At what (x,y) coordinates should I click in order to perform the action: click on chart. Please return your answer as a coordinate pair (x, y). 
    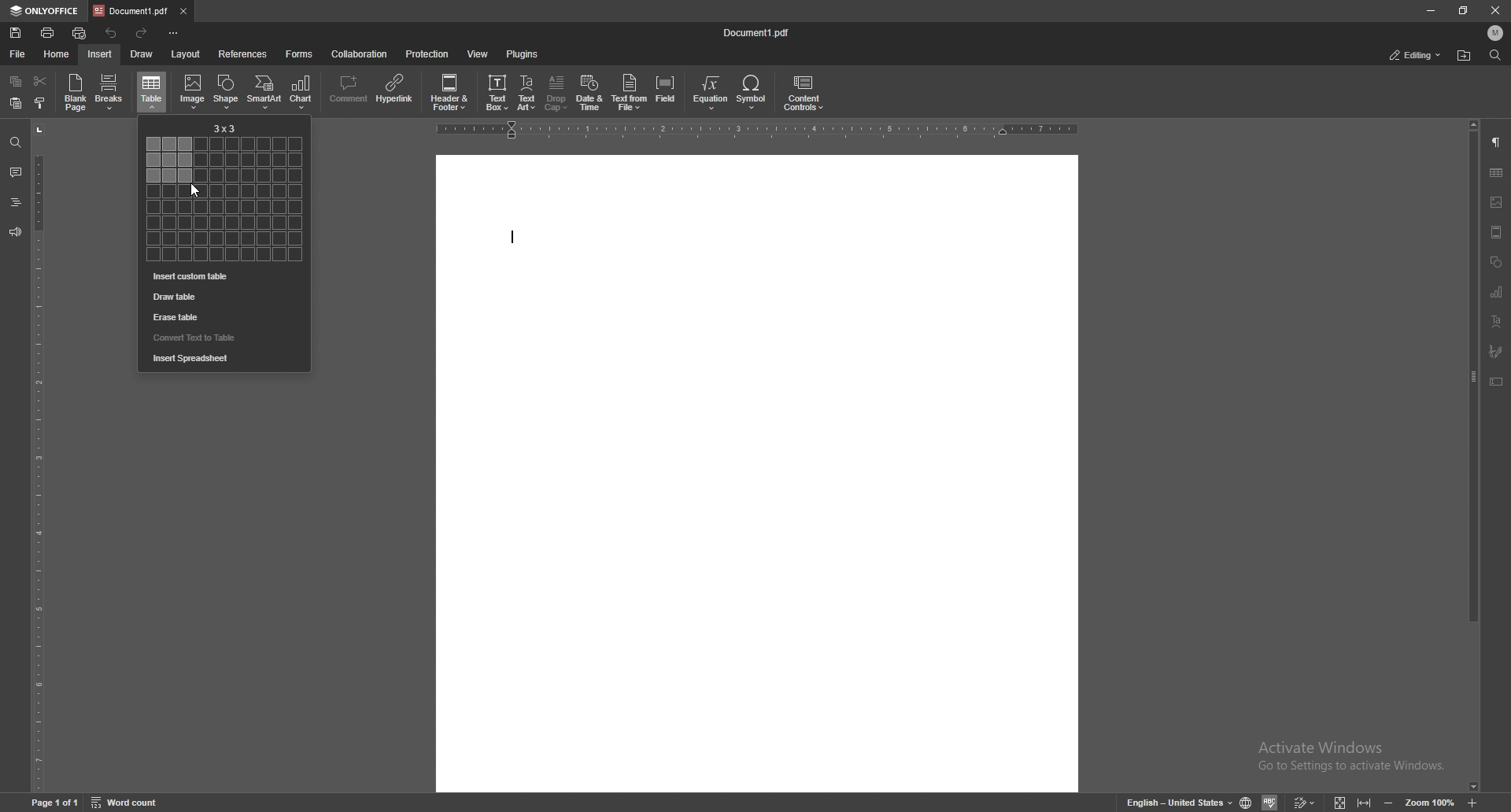
    Looking at the image, I should click on (304, 93).